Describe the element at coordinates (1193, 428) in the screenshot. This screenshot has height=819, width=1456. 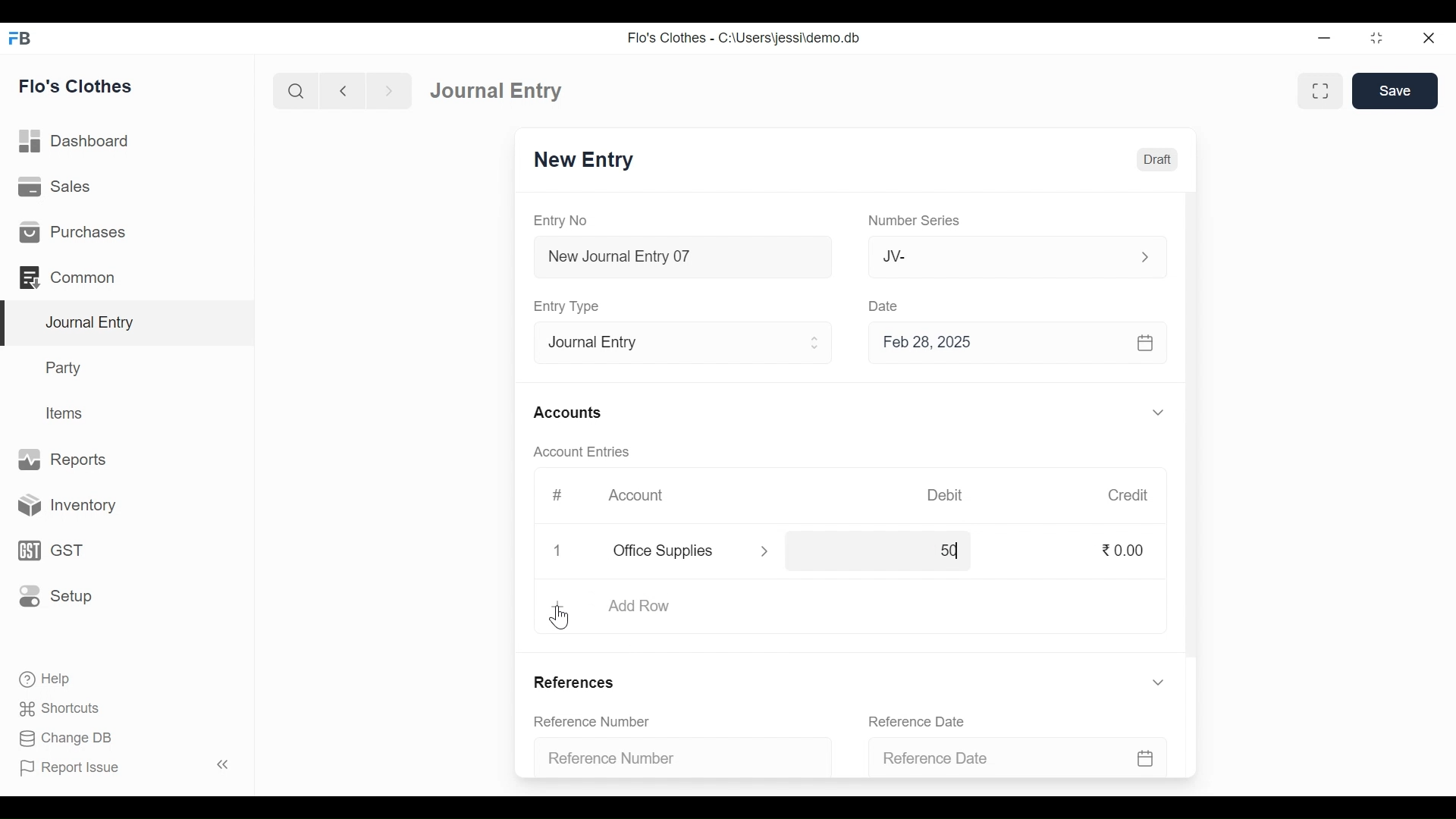
I see `Vertical Scroll bar` at that location.